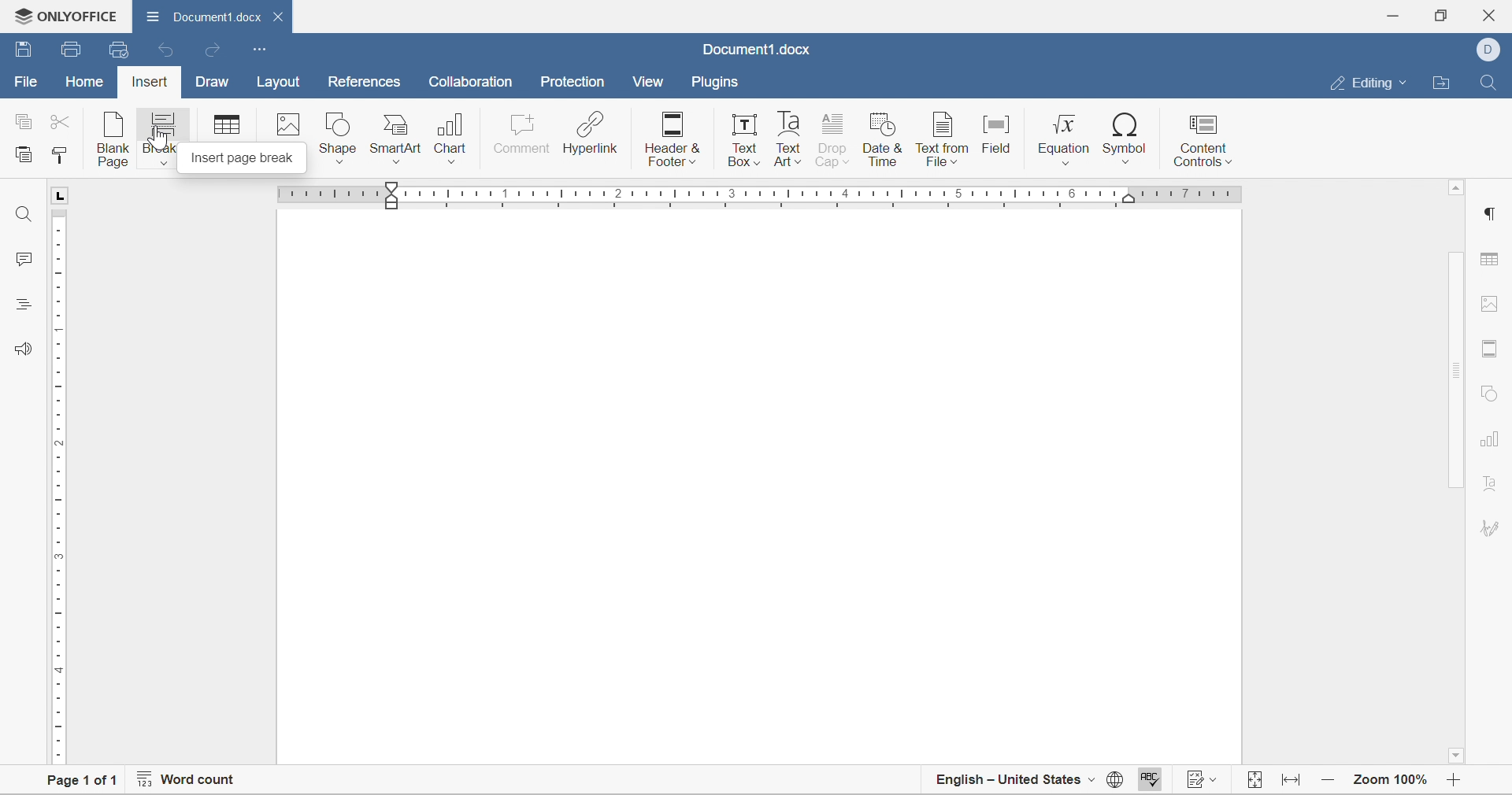 The width and height of the screenshot is (1512, 795). I want to click on Insert, so click(147, 83).